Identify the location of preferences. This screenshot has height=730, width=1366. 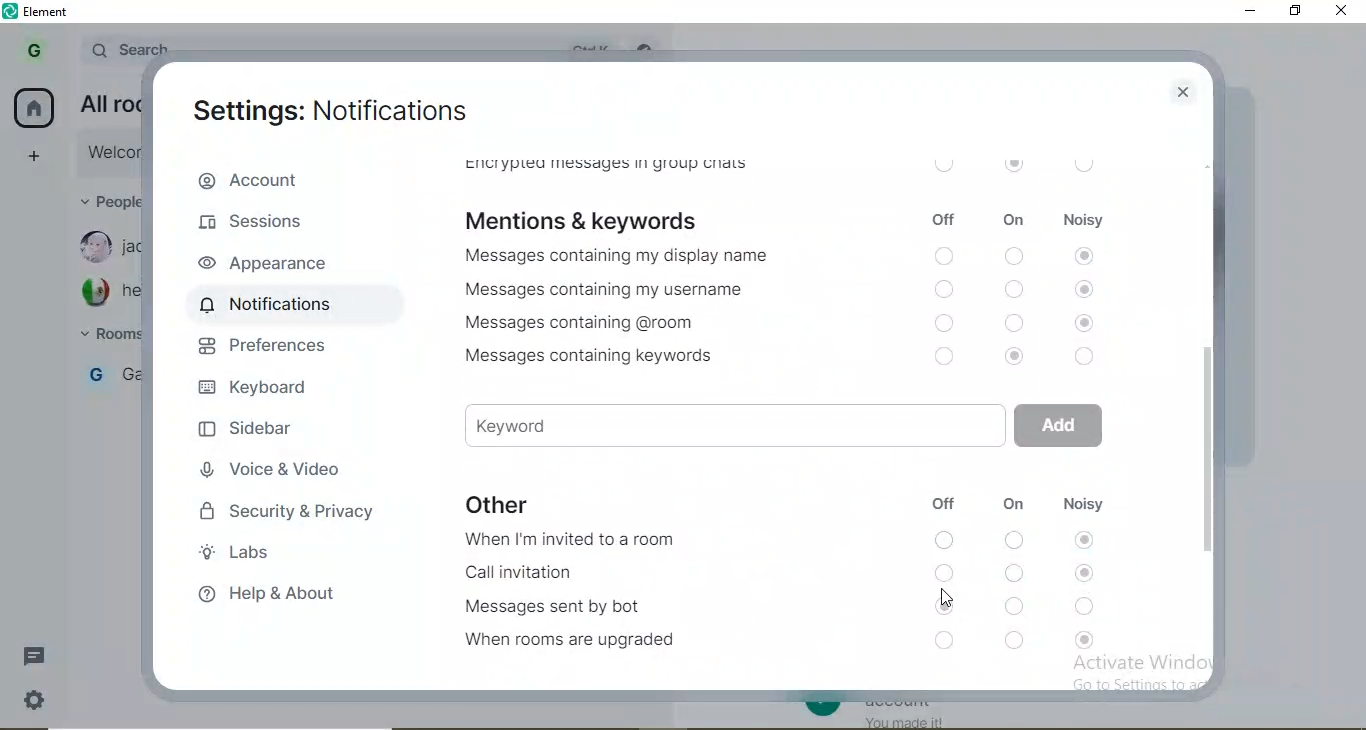
(278, 348).